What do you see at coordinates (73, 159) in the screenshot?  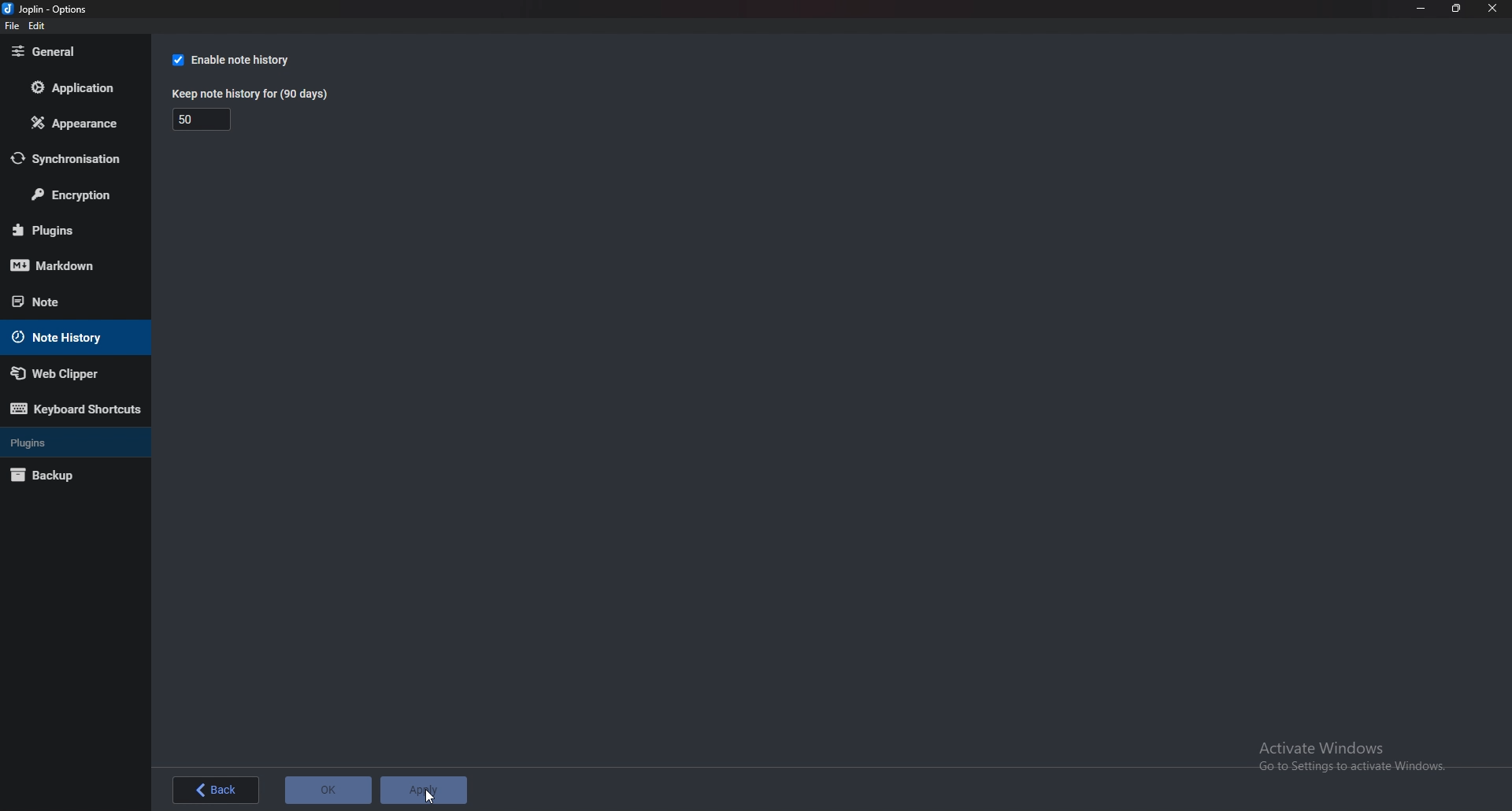 I see `Synchronization` at bounding box center [73, 159].